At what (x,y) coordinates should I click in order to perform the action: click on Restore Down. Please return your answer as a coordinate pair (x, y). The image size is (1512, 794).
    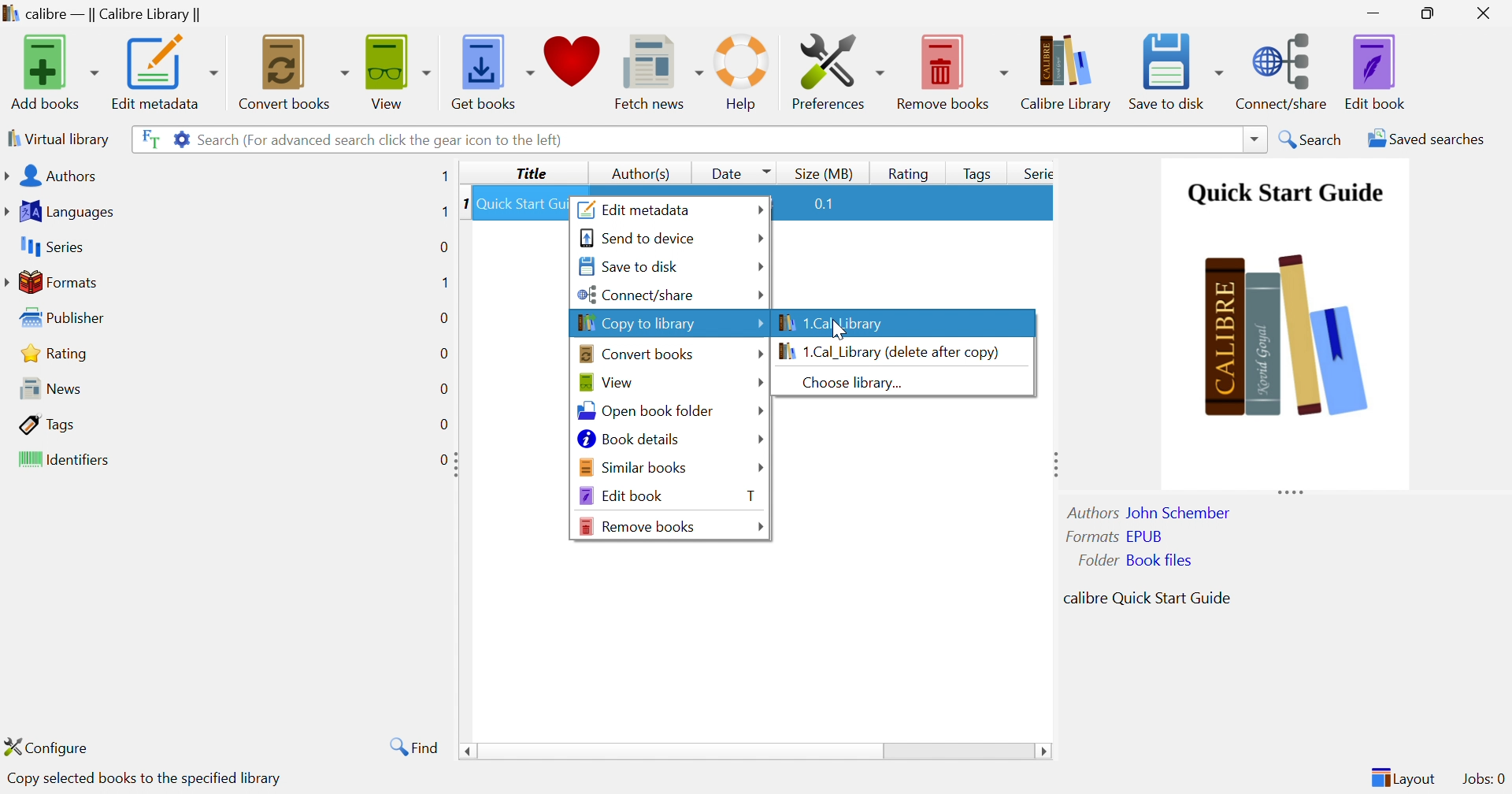
    Looking at the image, I should click on (1429, 12).